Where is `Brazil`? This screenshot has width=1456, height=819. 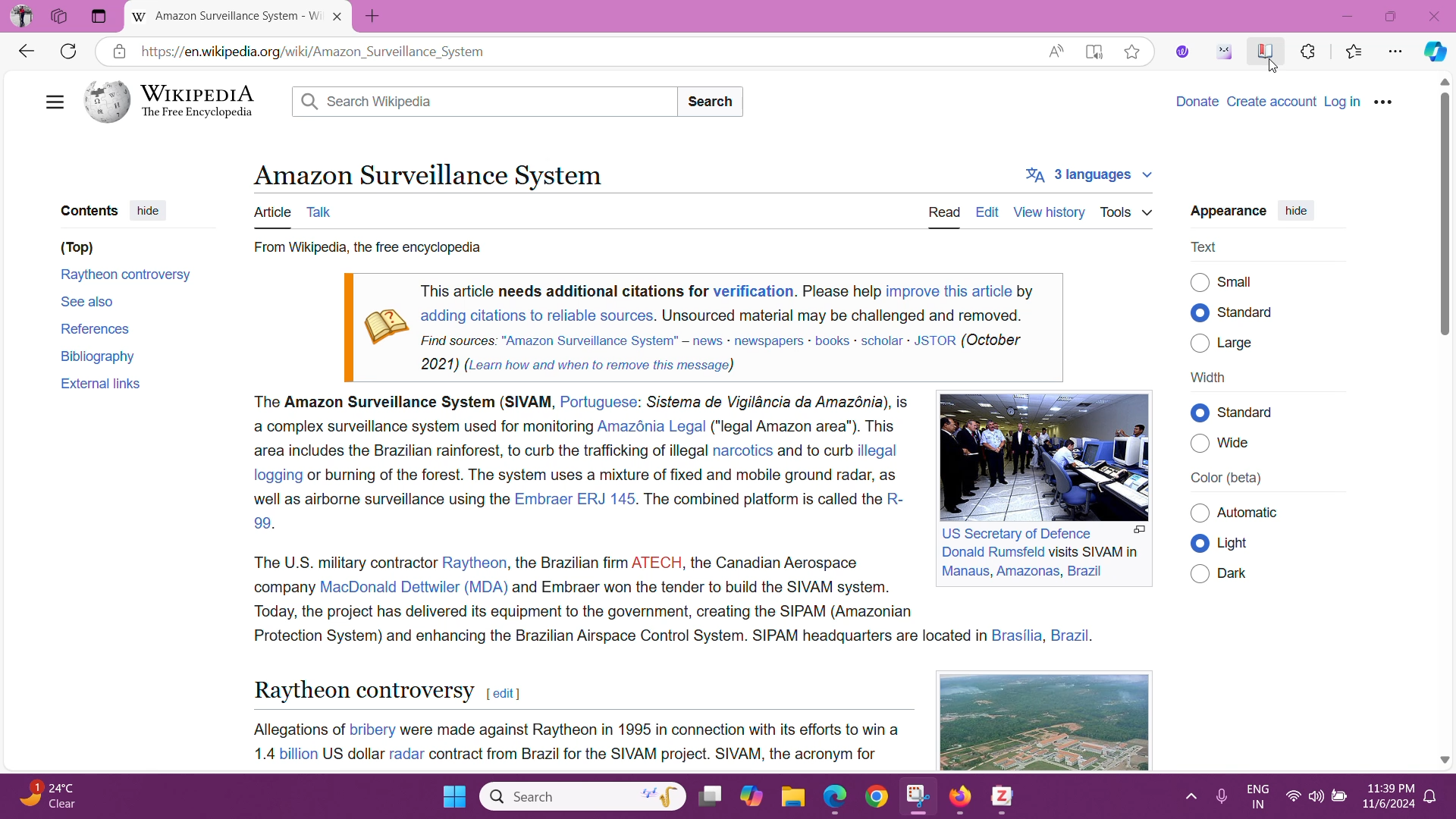
Brazil is located at coordinates (1084, 571).